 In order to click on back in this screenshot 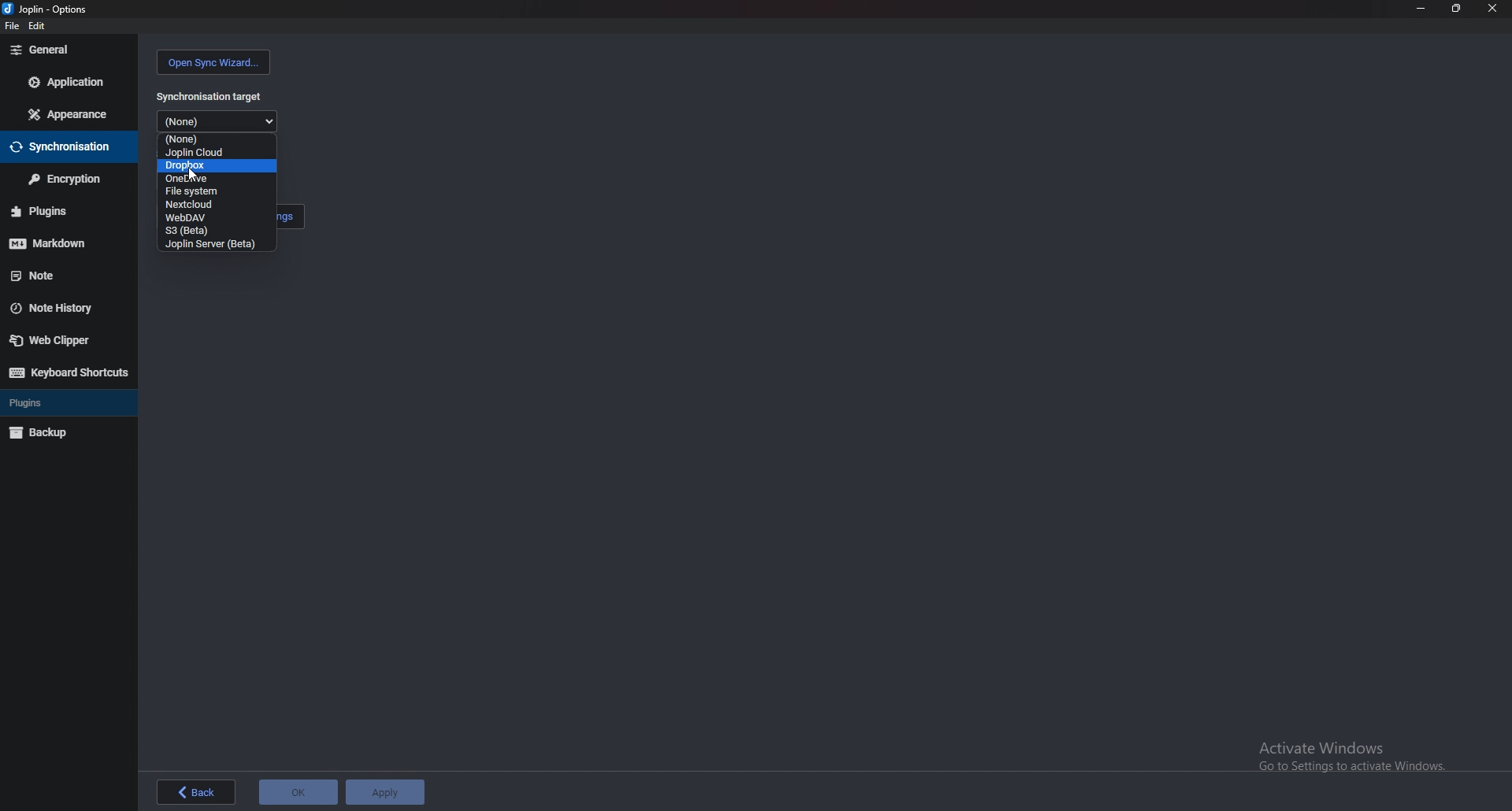, I will do `click(200, 792)`.